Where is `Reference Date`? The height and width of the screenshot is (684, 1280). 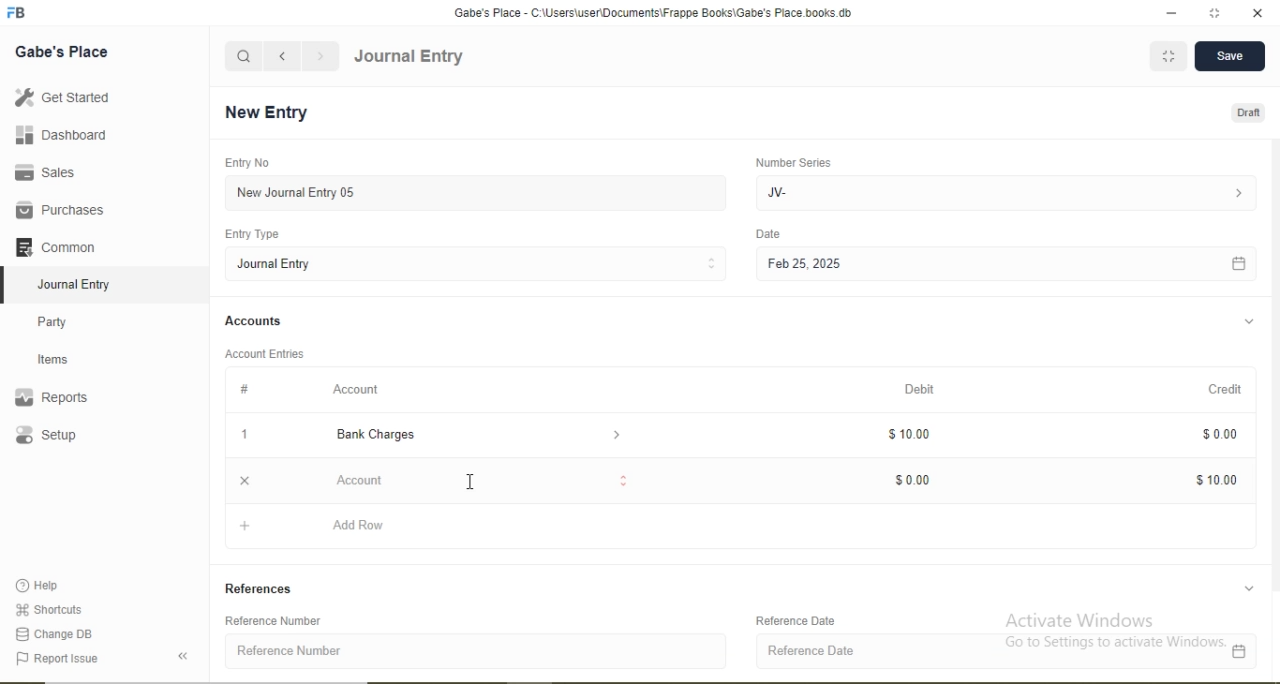
Reference Date is located at coordinates (801, 620).